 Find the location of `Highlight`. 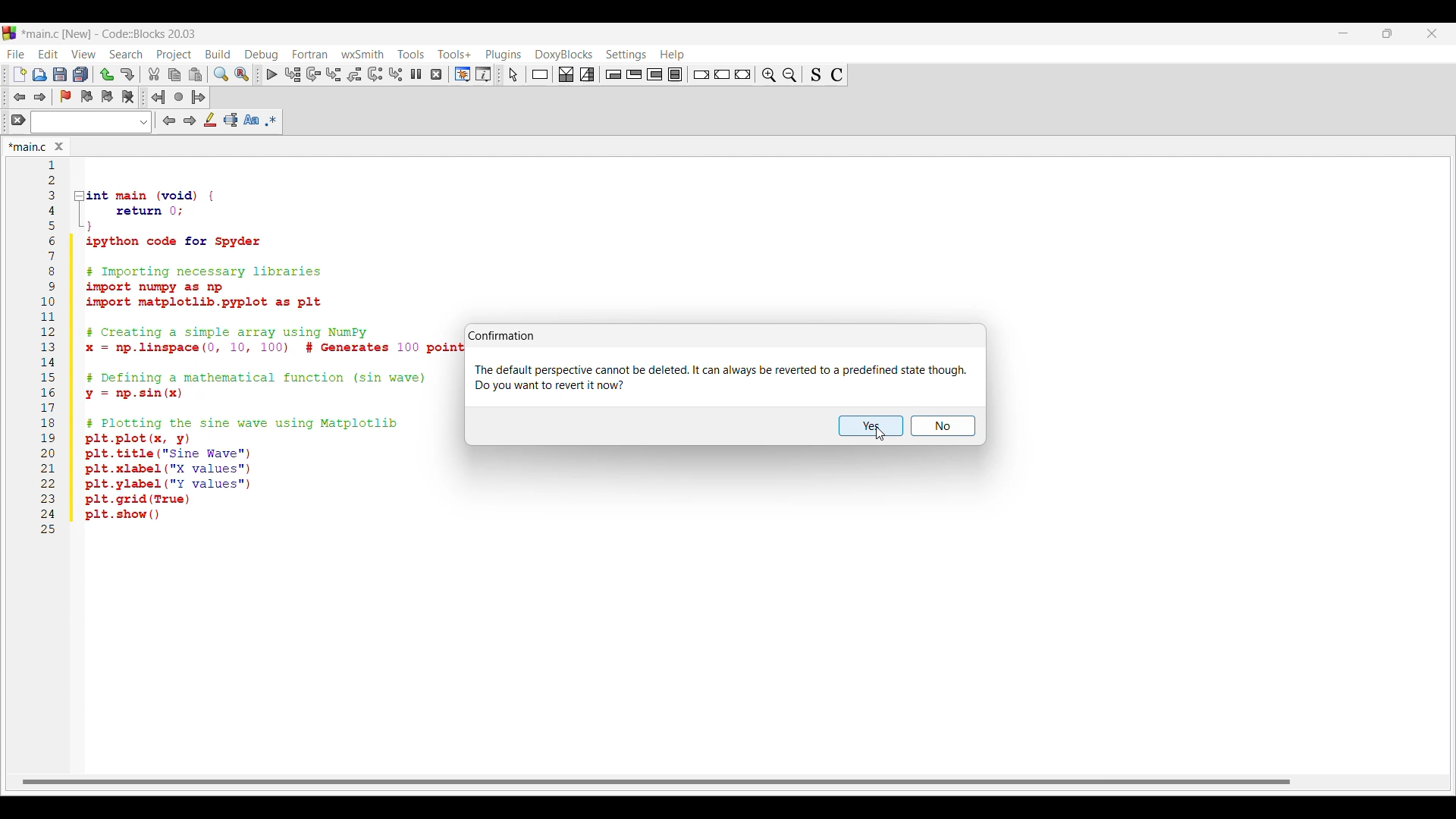

Highlight is located at coordinates (211, 120).